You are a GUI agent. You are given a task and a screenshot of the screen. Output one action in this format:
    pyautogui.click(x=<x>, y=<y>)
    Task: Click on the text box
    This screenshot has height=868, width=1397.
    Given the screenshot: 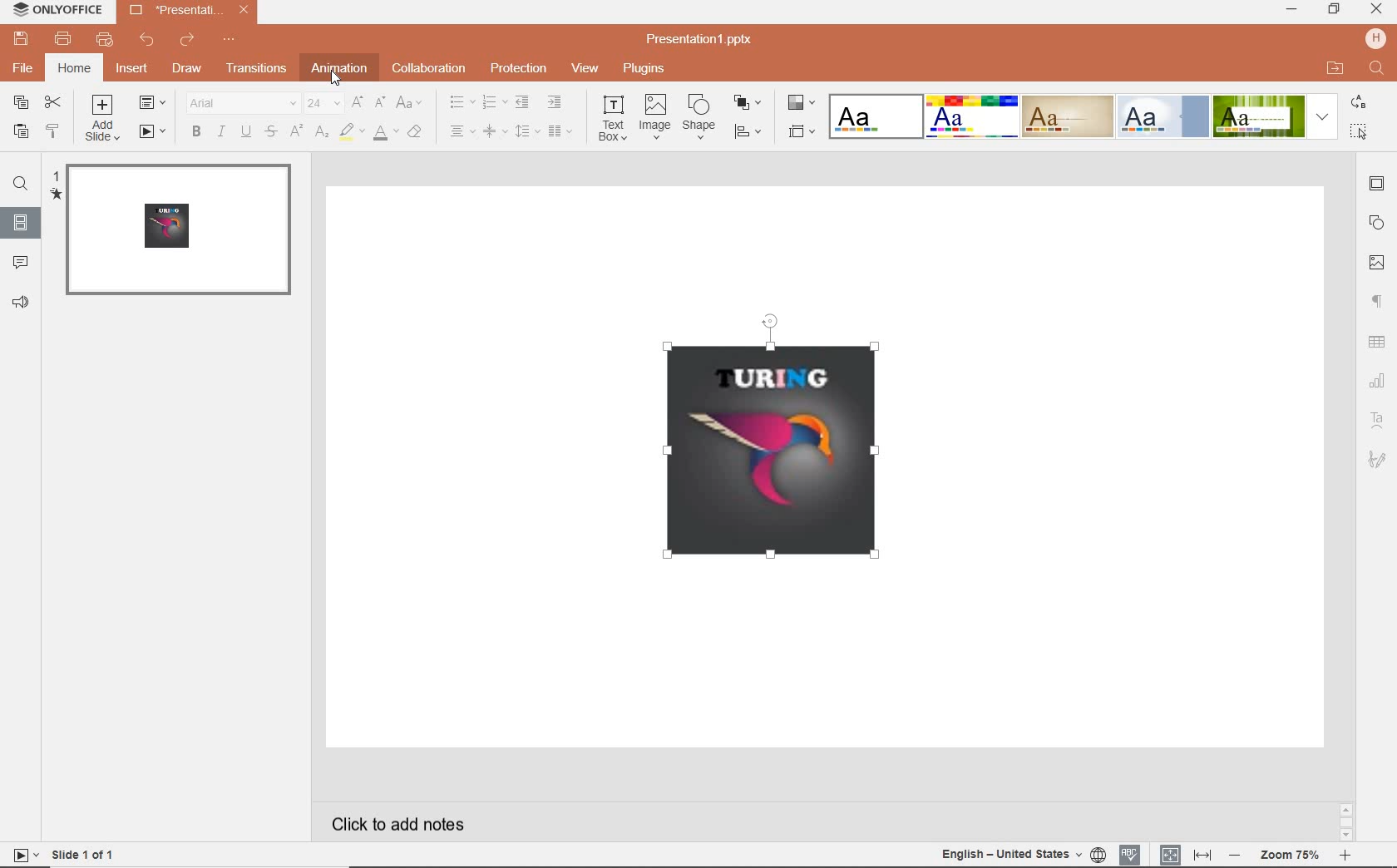 What is the action you would take?
    pyautogui.click(x=609, y=119)
    